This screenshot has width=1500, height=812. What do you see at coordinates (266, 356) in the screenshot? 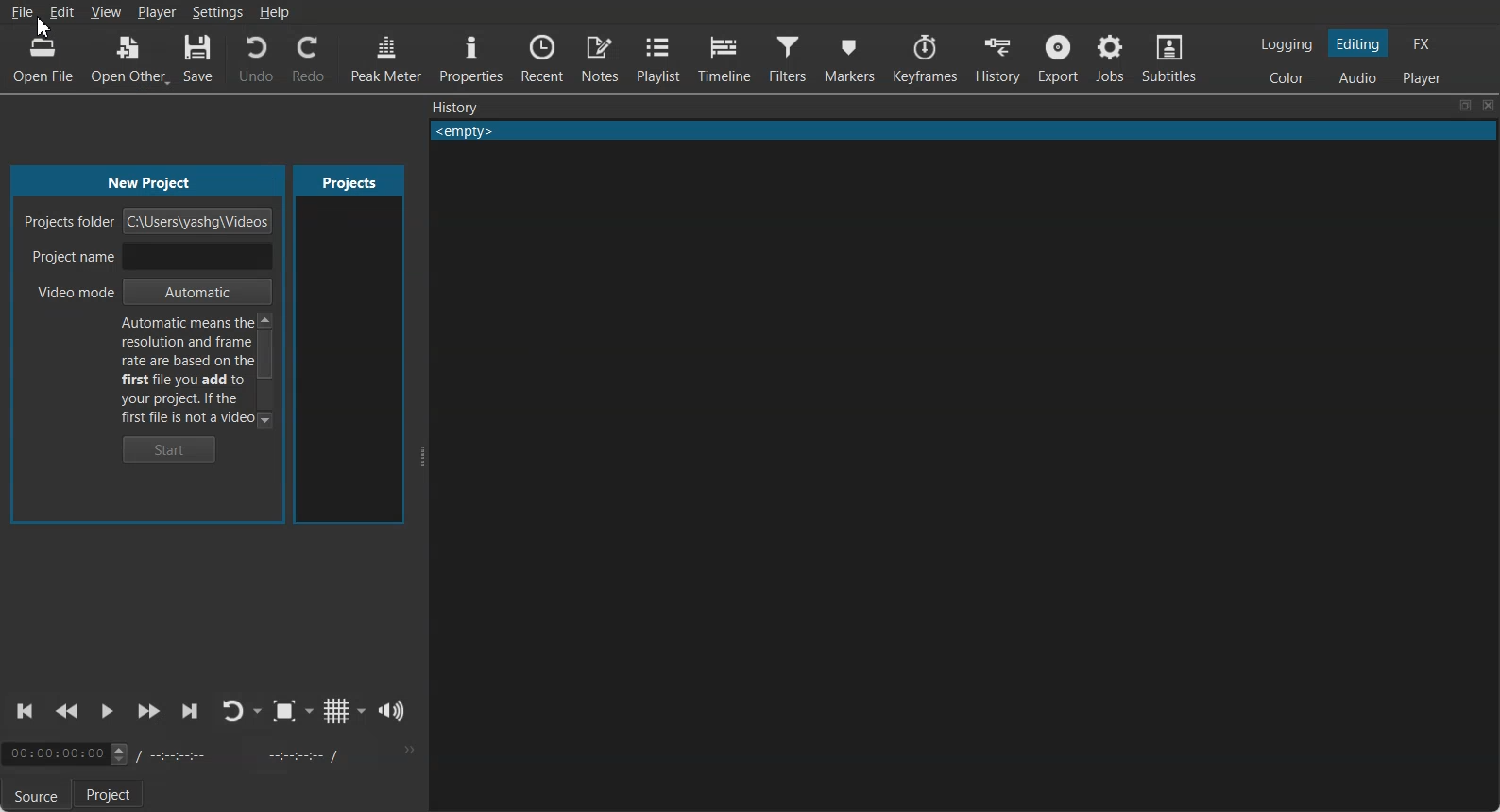
I see `Vertical Scroll bar` at bounding box center [266, 356].